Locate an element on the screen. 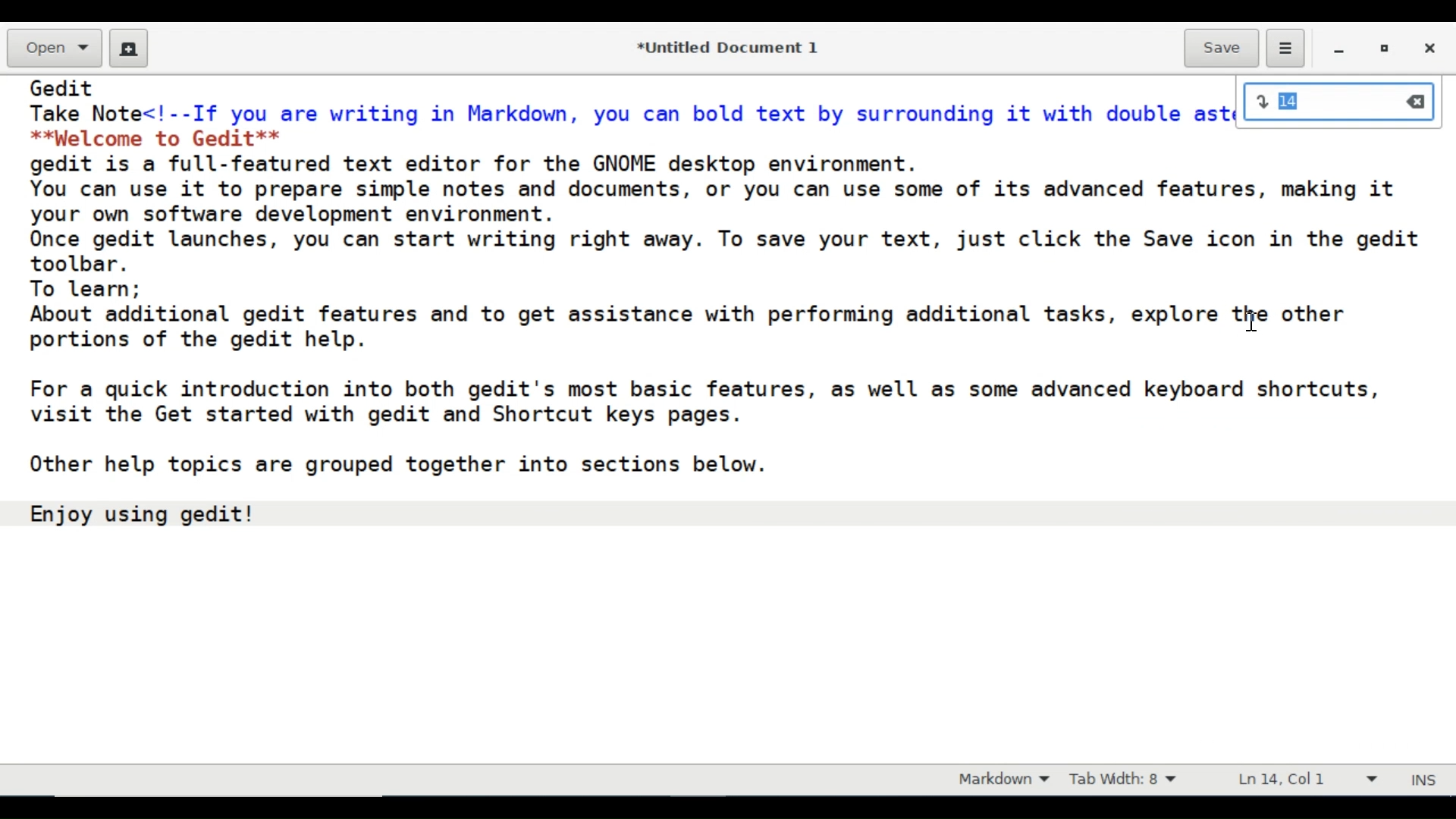  **palcome to Gedit** is located at coordinates (162, 137).